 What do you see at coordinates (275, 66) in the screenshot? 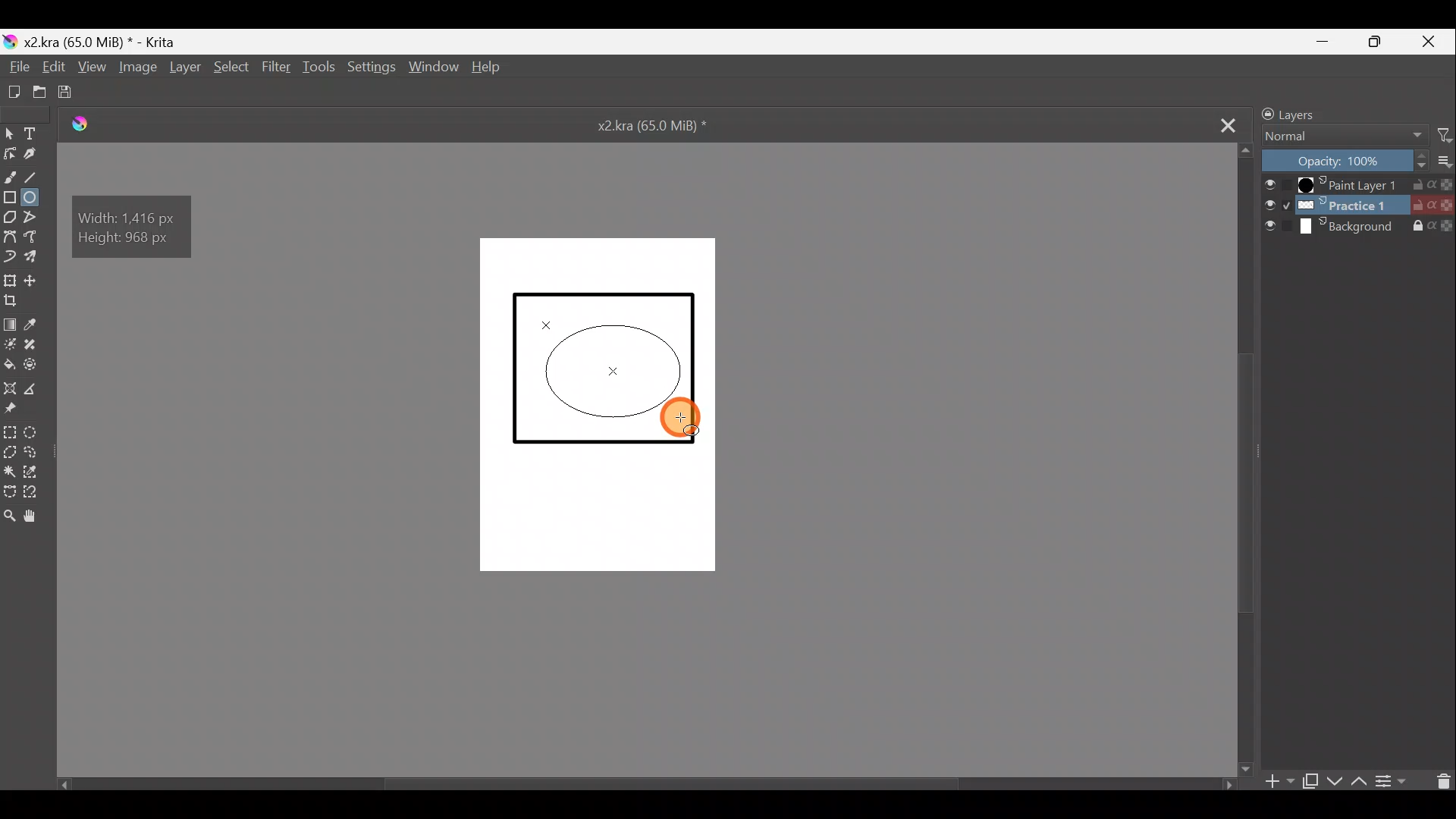
I see `Filter` at bounding box center [275, 66].